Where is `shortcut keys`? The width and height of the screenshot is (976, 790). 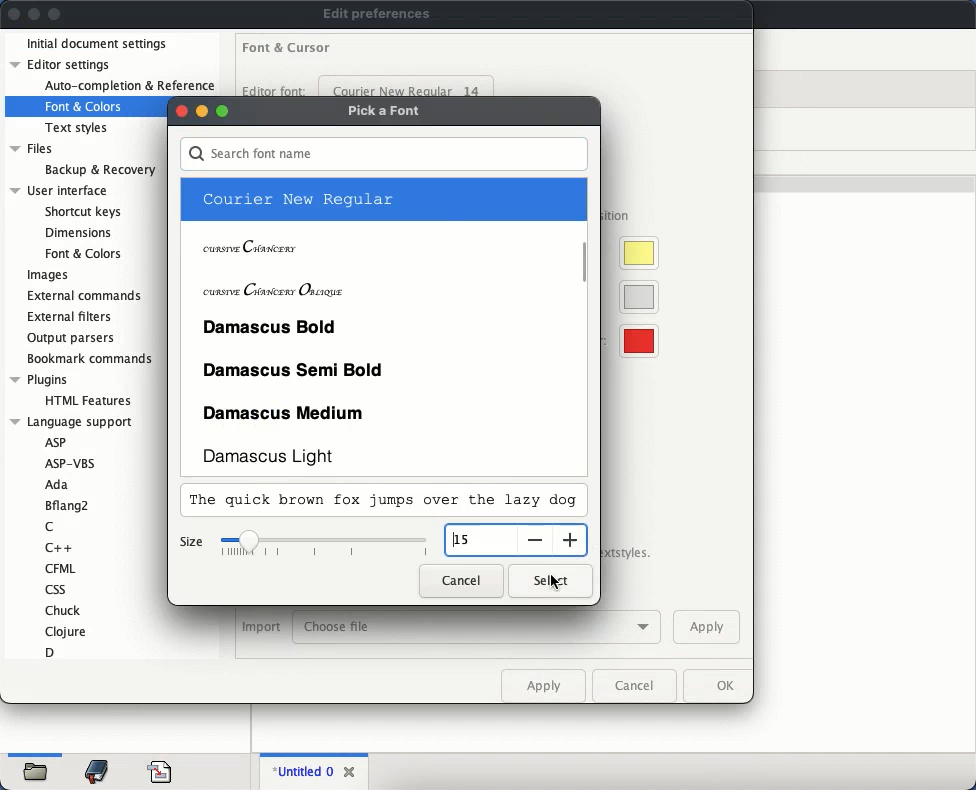 shortcut keys is located at coordinates (82, 212).